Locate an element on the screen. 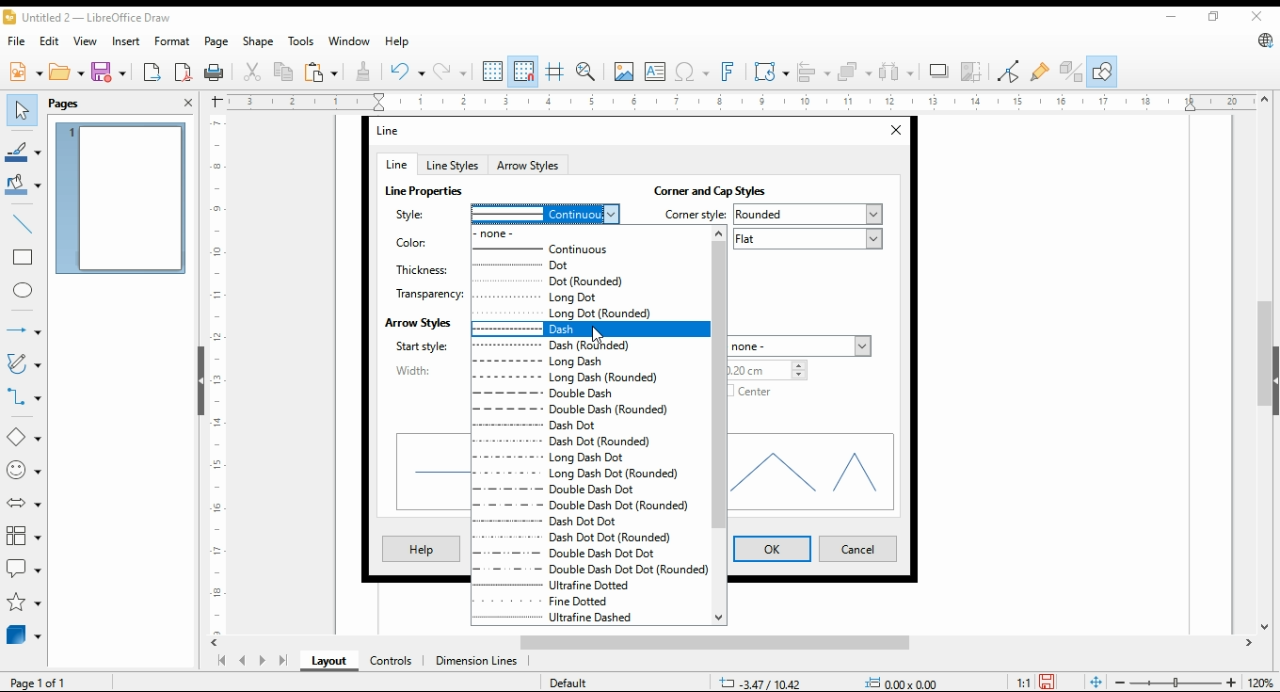 This screenshot has height=692, width=1280. fit page to window is located at coordinates (1096, 683).